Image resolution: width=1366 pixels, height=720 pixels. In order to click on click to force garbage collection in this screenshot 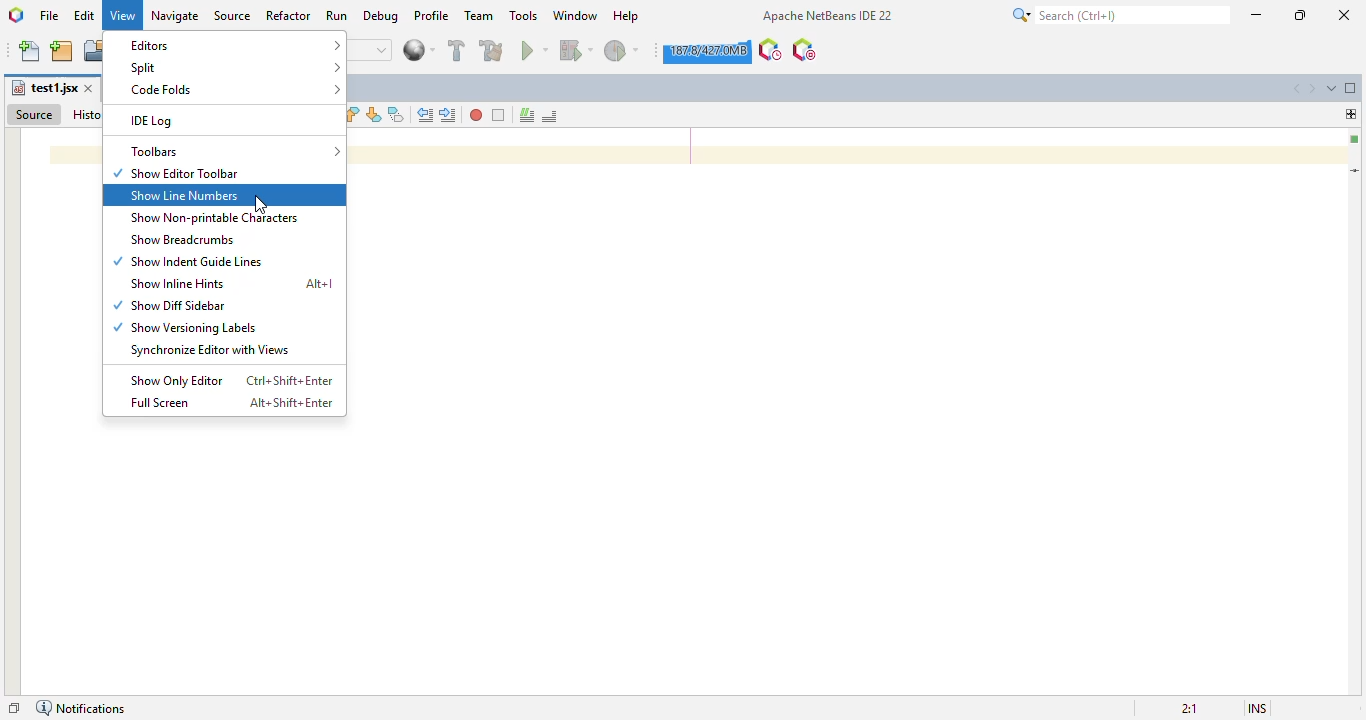, I will do `click(707, 51)`.